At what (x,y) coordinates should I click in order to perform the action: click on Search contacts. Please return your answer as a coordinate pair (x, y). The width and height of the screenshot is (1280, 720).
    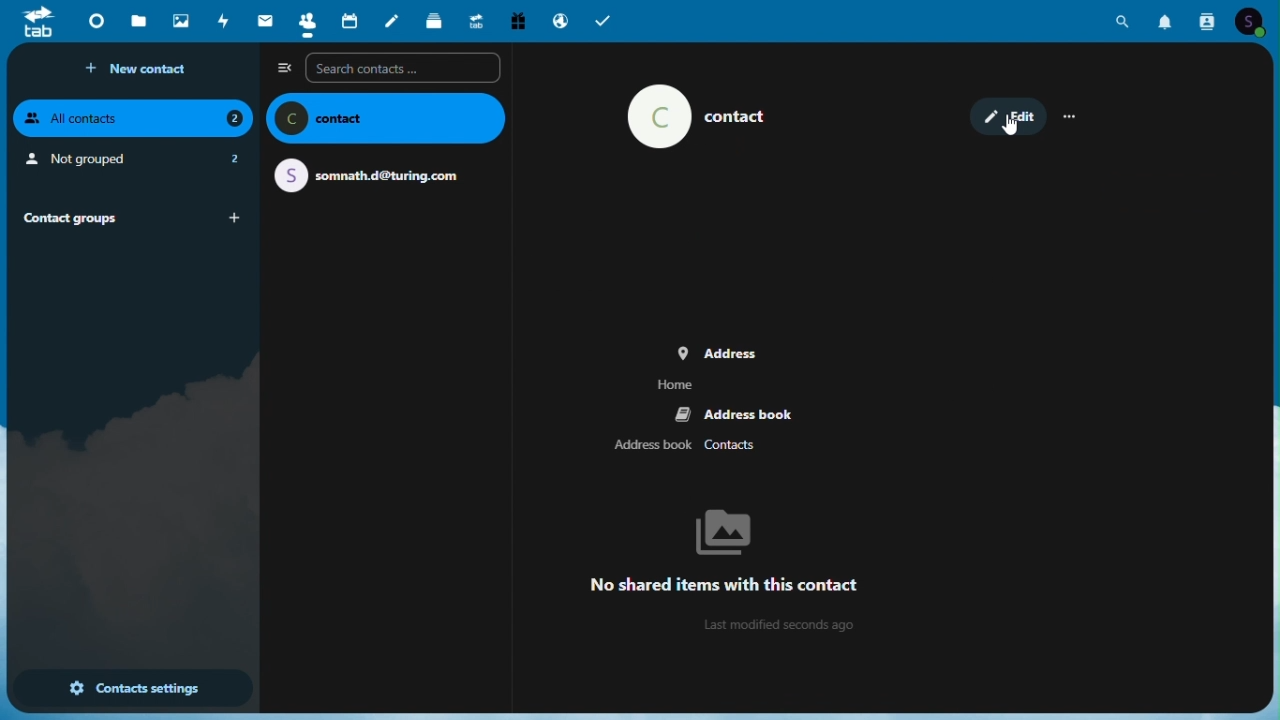
    Looking at the image, I should click on (404, 68).